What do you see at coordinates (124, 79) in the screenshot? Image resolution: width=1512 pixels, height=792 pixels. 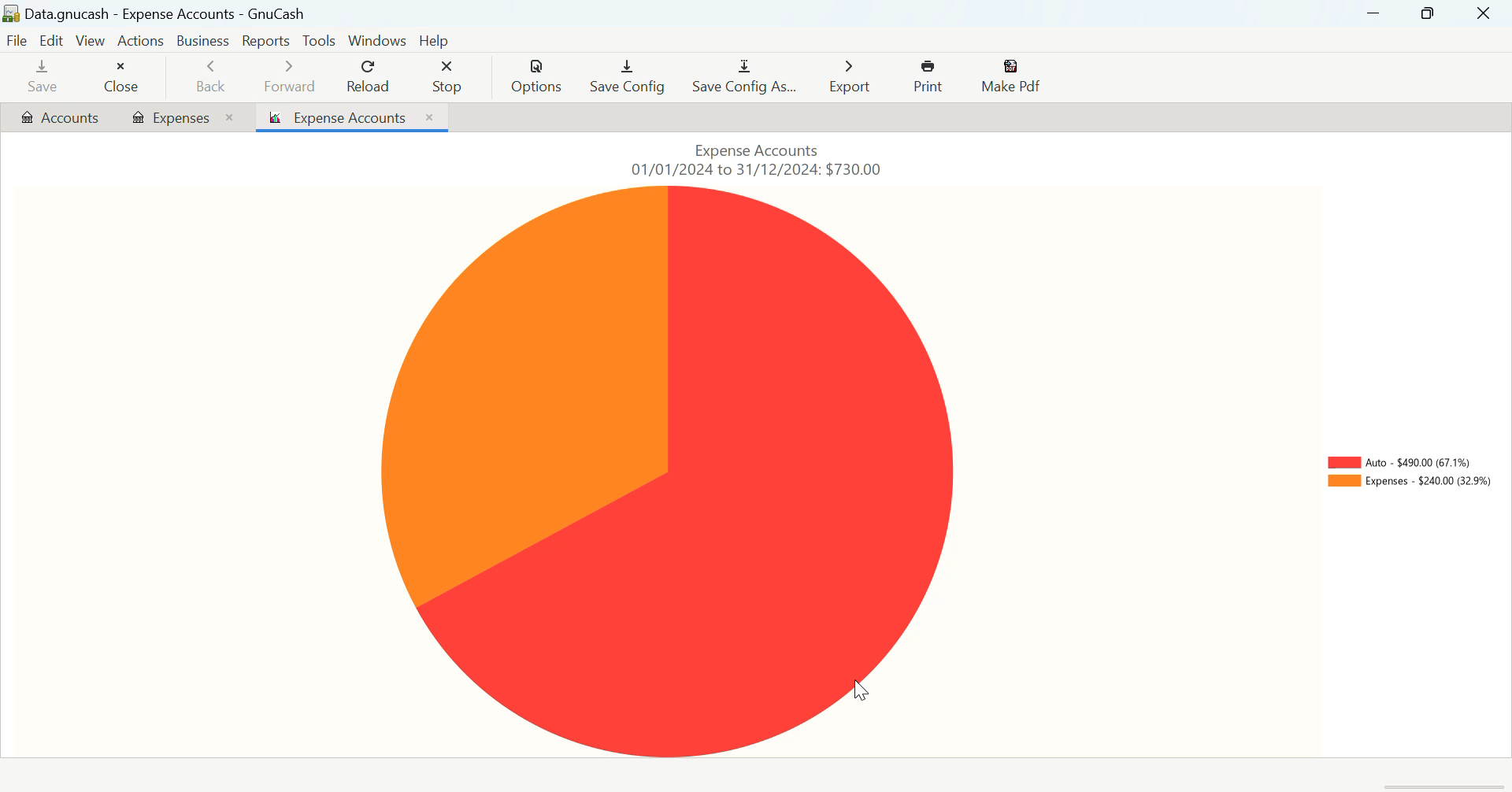 I see `Close` at bounding box center [124, 79].